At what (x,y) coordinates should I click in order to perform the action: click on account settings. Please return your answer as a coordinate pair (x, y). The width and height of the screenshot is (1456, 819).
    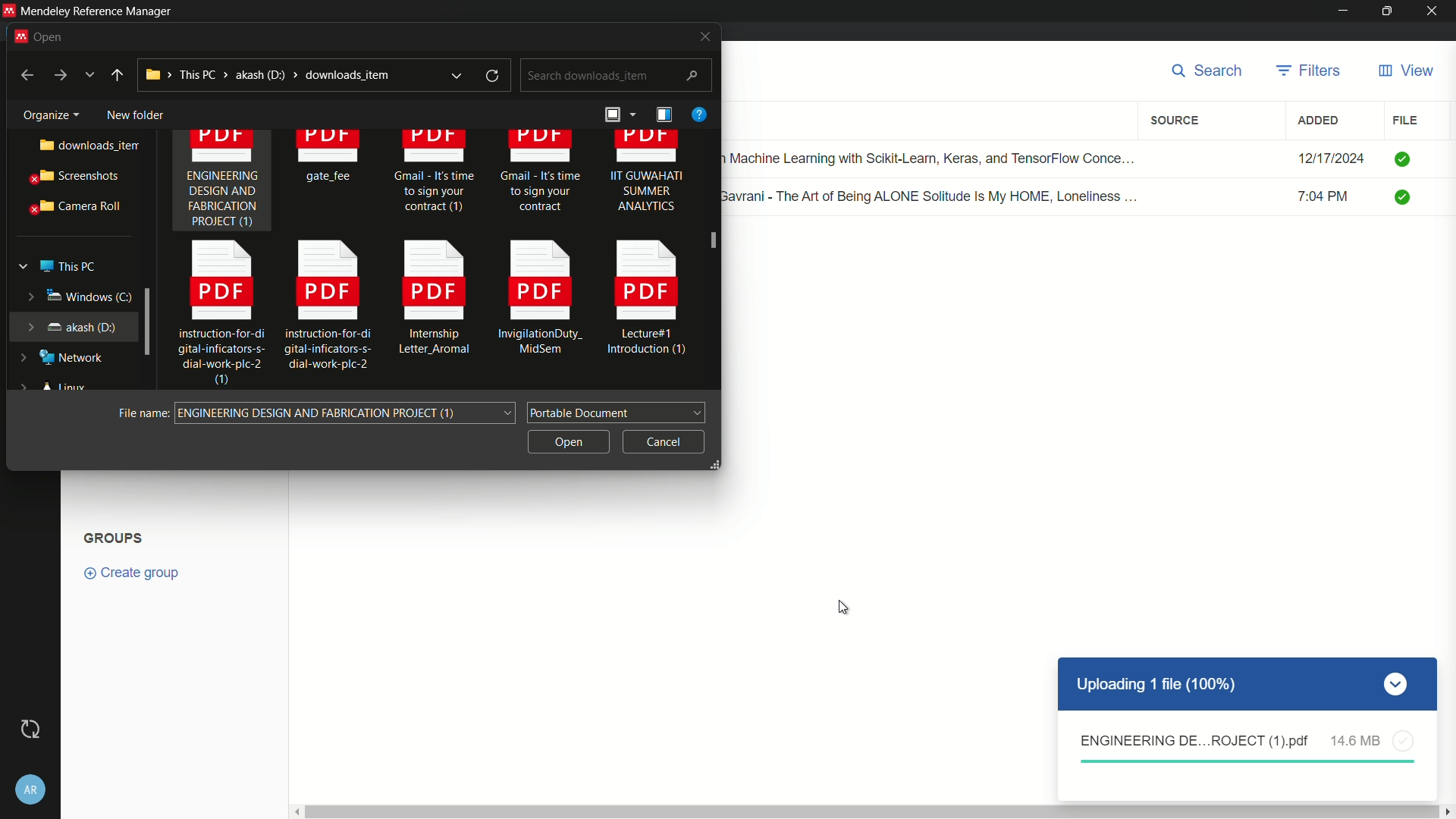
    Looking at the image, I should click on (31, 786).